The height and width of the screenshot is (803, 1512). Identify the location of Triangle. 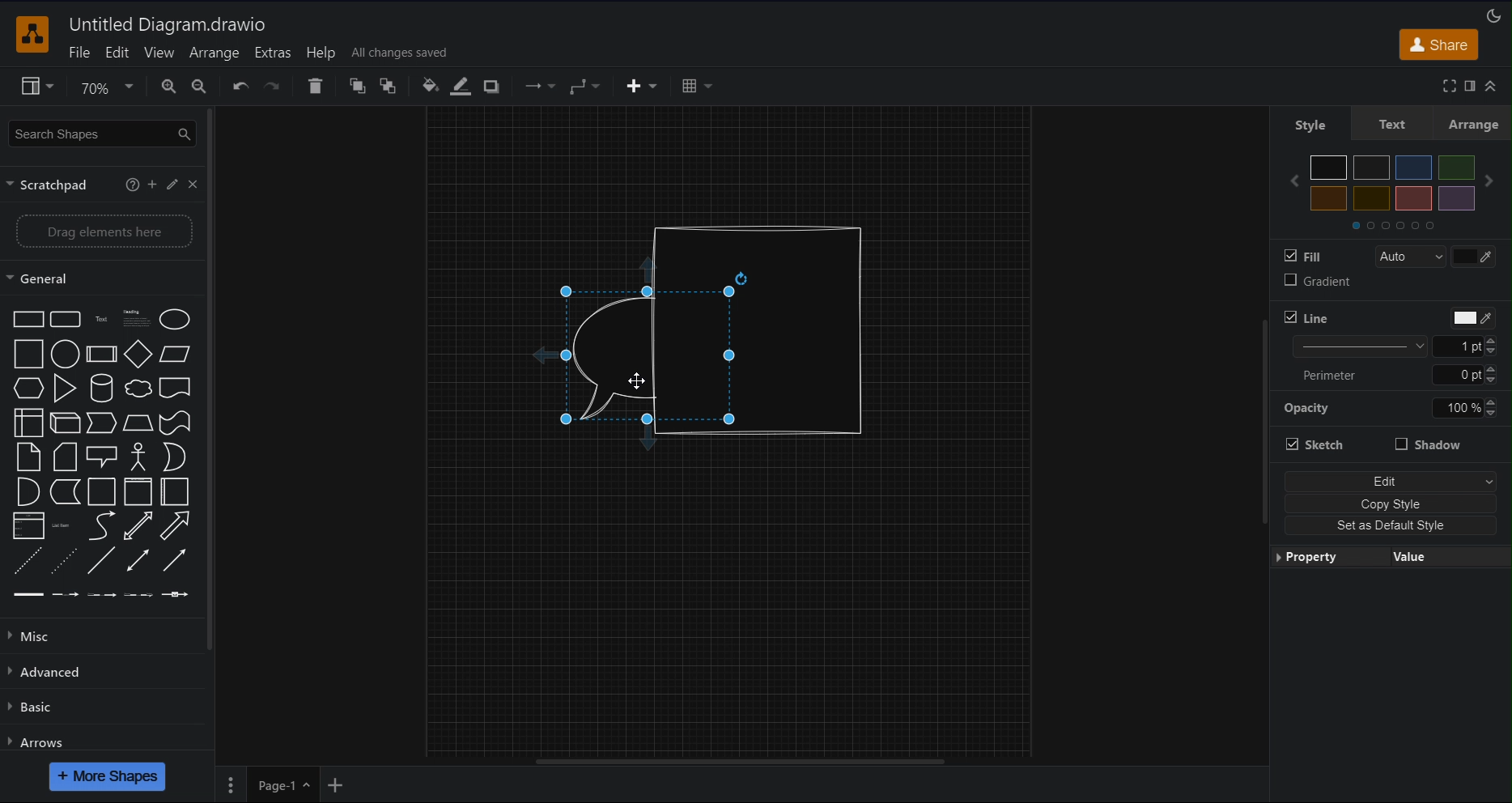
(64, 388).